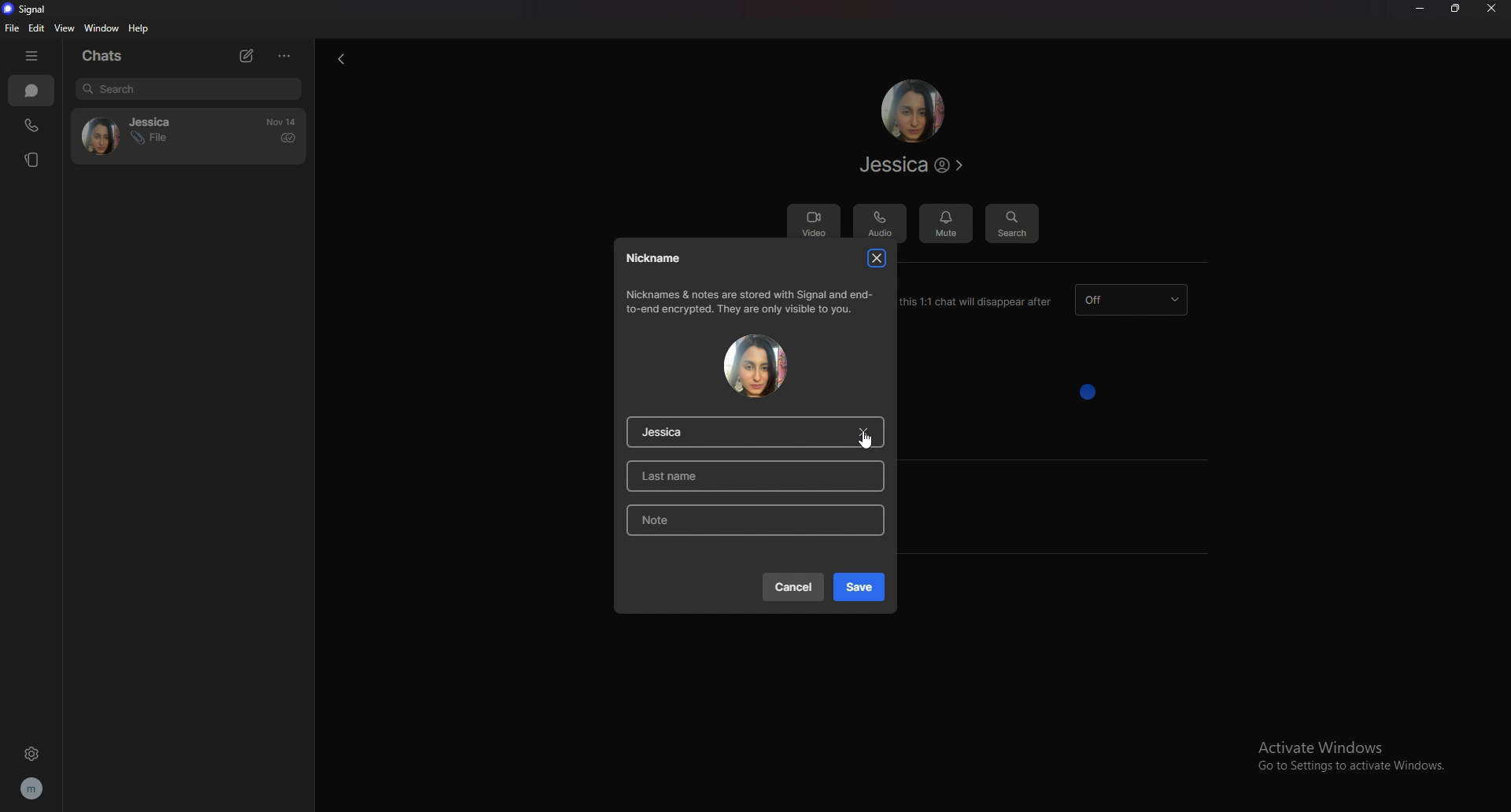  I want to click on note, so click(752, 520).